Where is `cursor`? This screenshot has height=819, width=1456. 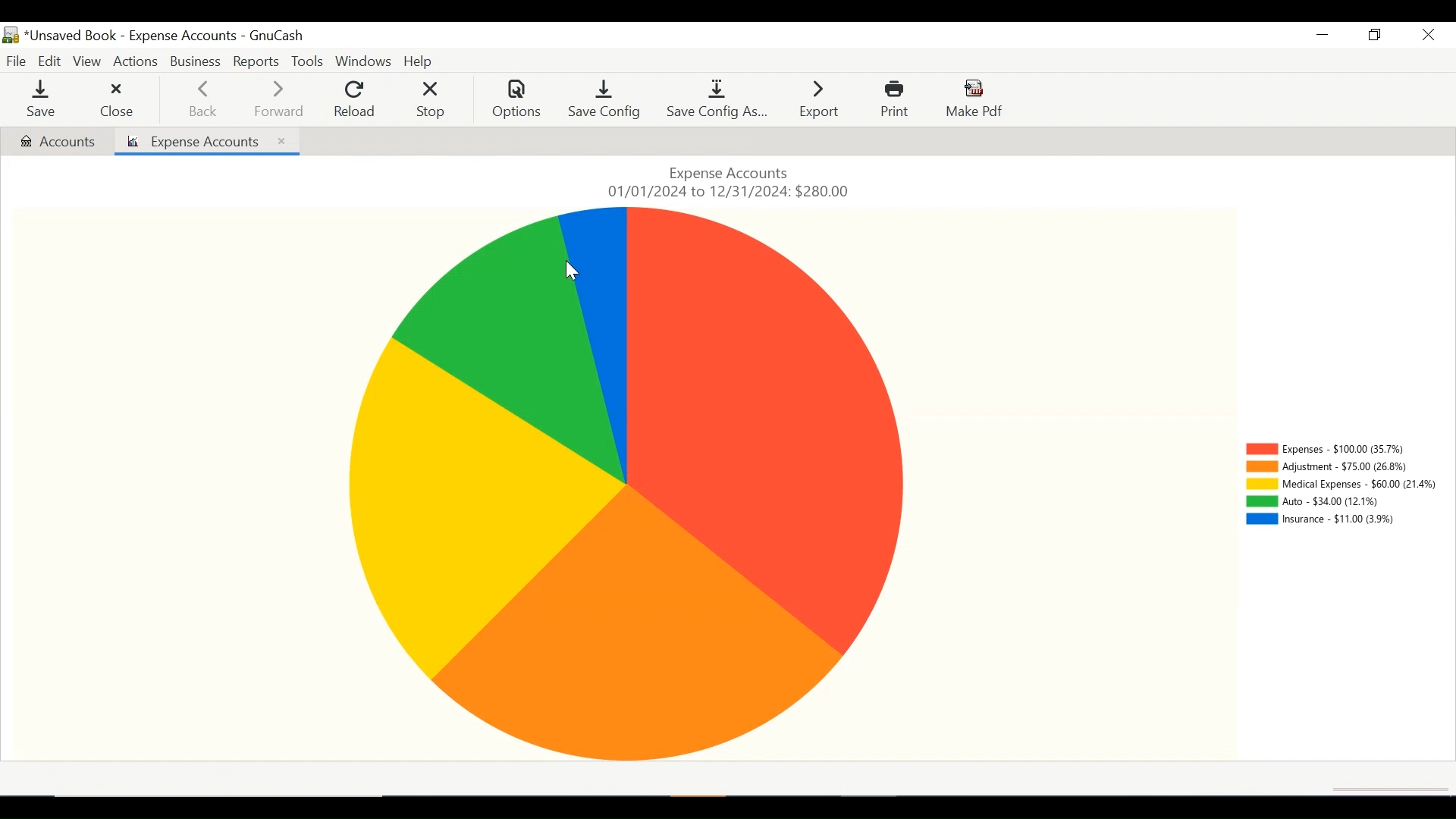 cursor is located at coordinates (573, 271).